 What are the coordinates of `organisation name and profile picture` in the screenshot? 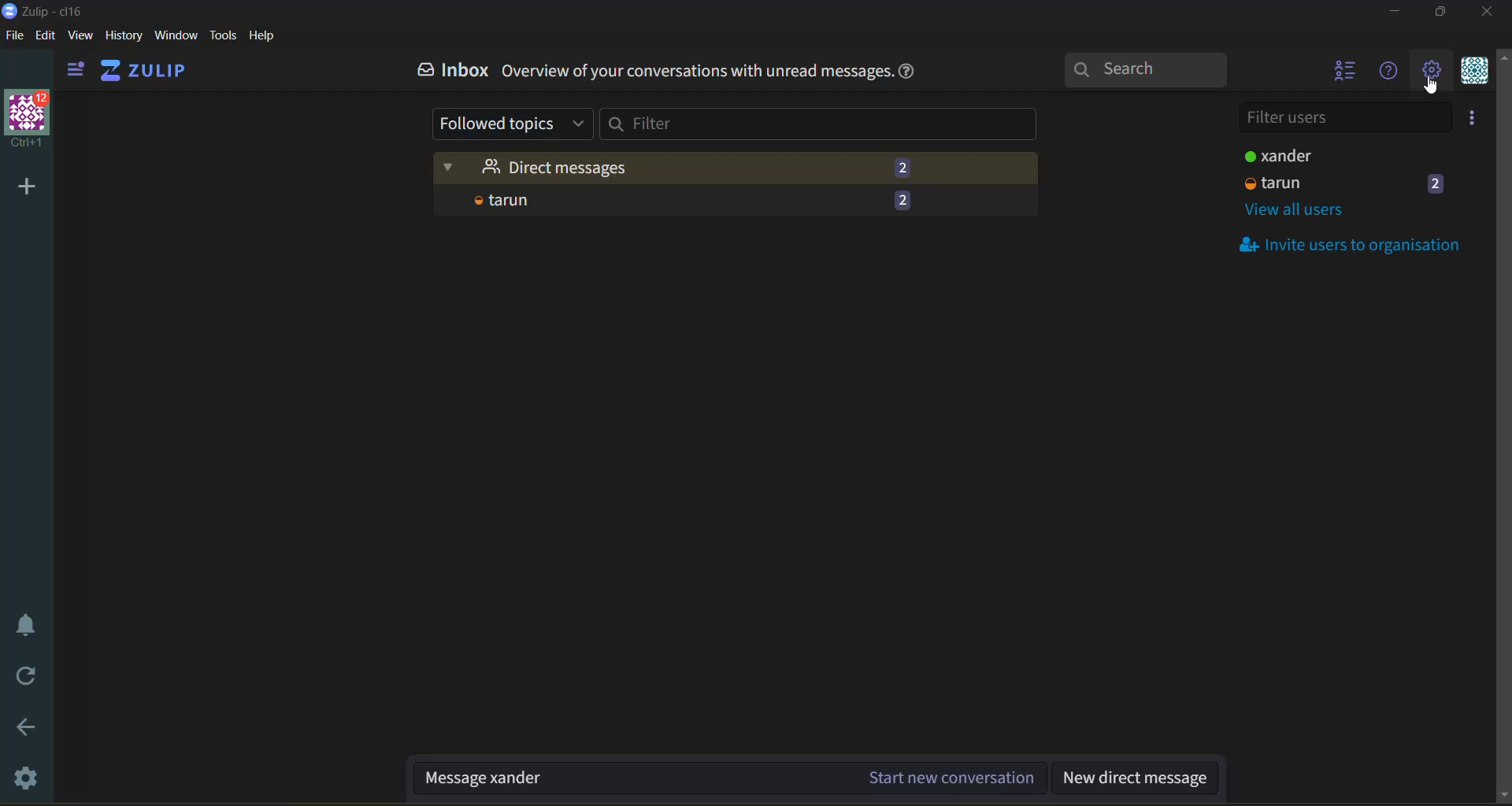 It's located at (30, 120).